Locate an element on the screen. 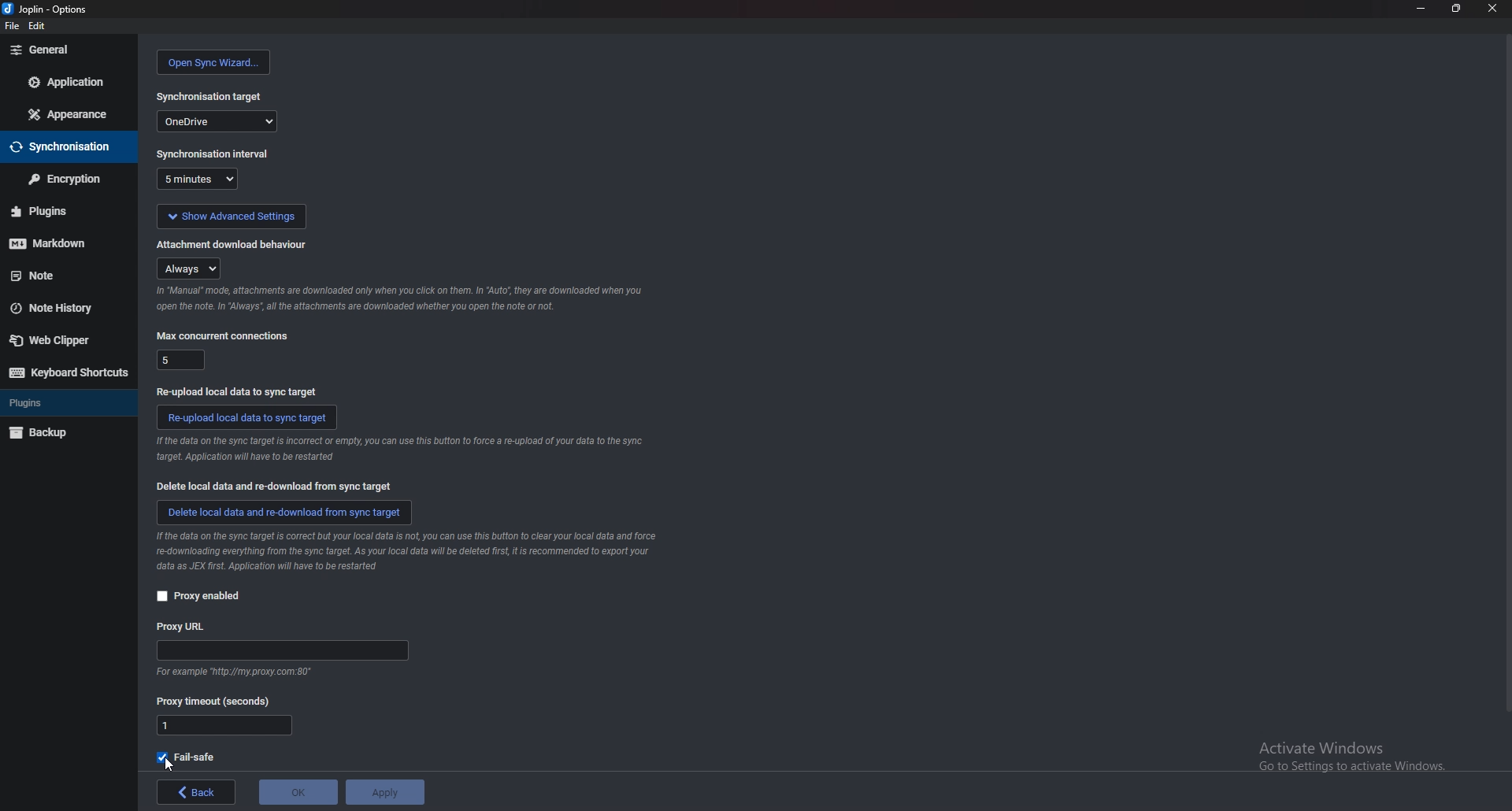 This screenshot has width=1512, height=811. edit is located at coordinates (39, 26).